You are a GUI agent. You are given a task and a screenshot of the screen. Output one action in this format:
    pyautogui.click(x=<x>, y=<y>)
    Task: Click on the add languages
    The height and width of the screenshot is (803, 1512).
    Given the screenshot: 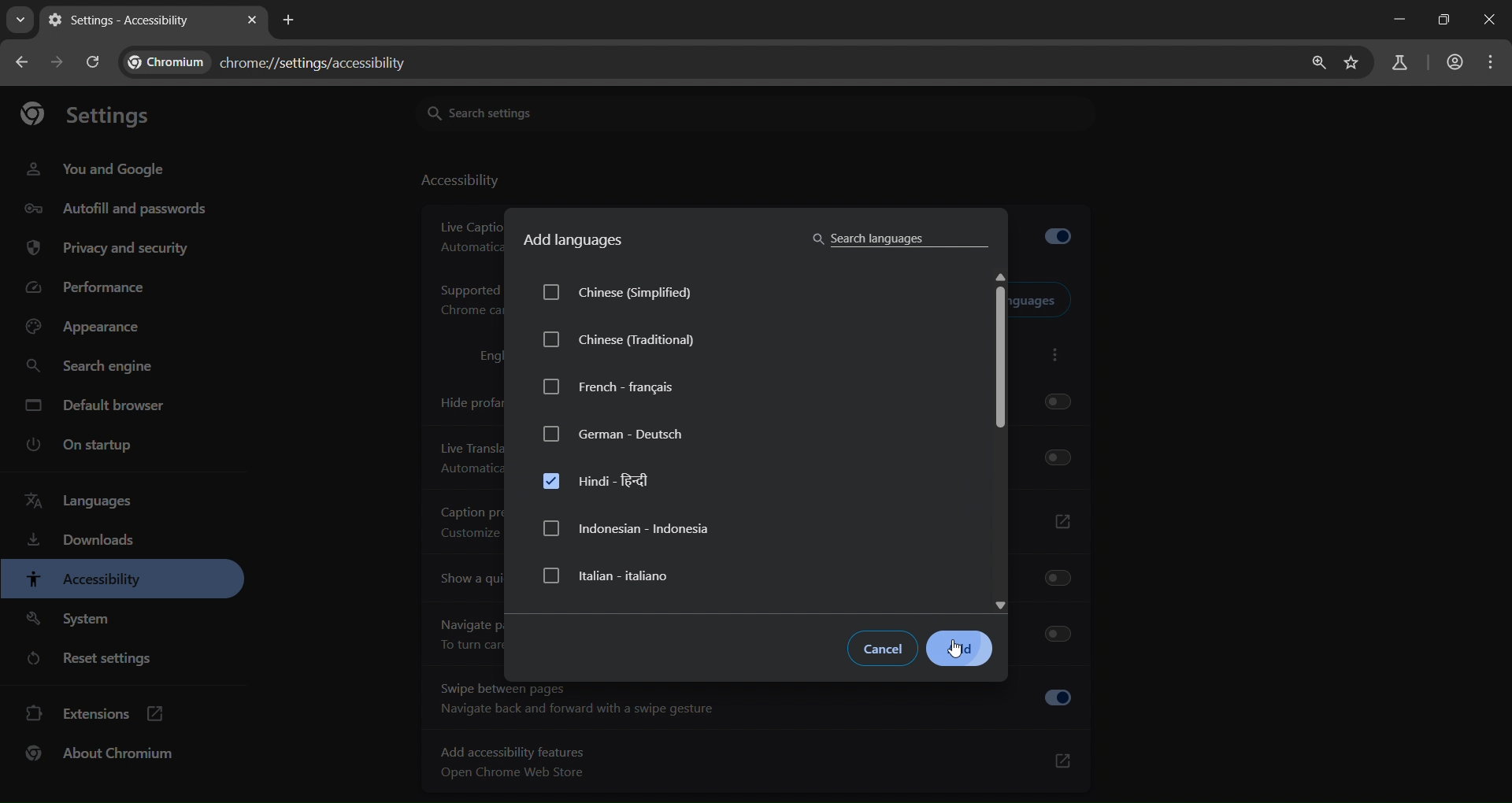 What is the action you would take?
    pyautogui.click(x=575, y=242)
    